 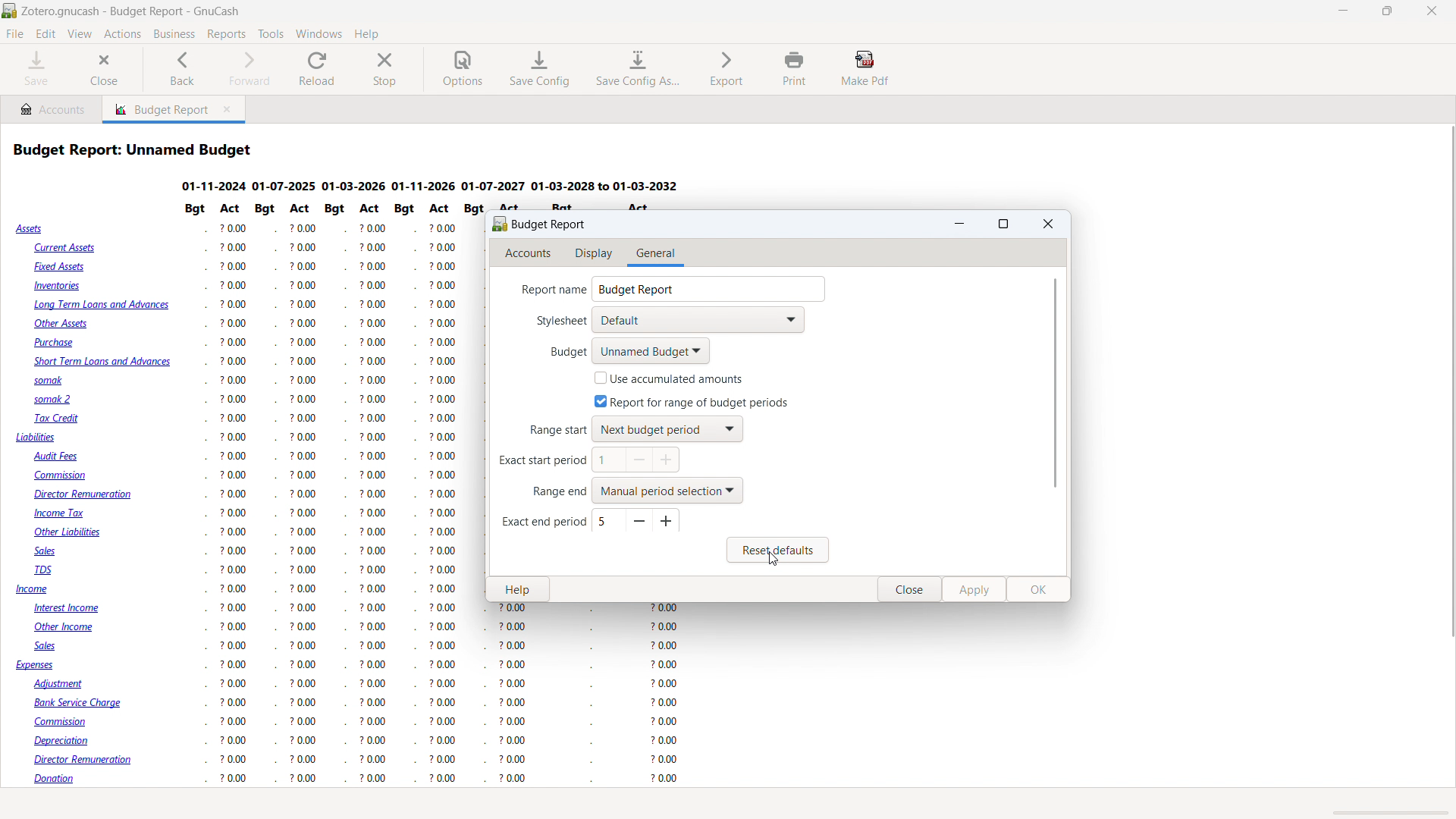 I want to click on view, so click(x=80, y=34).